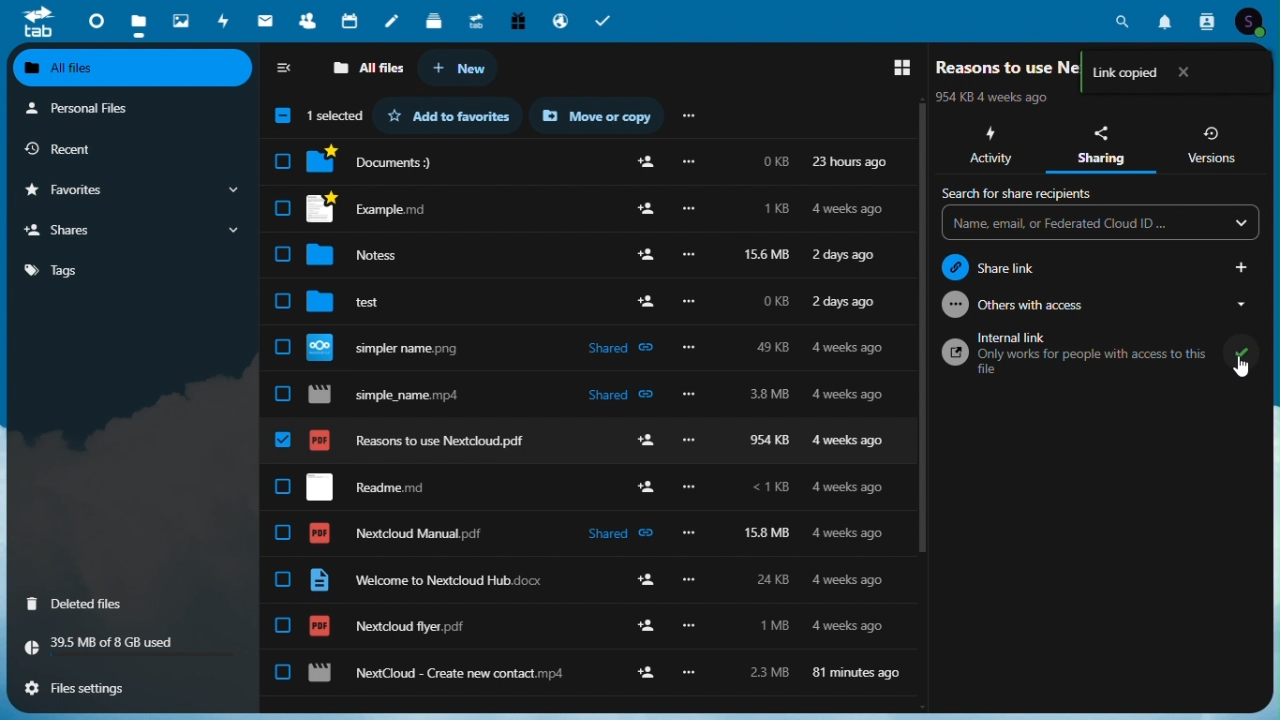 The image size is (1280, 720). I want to click on 4 weeks ago, so click(850, 441).